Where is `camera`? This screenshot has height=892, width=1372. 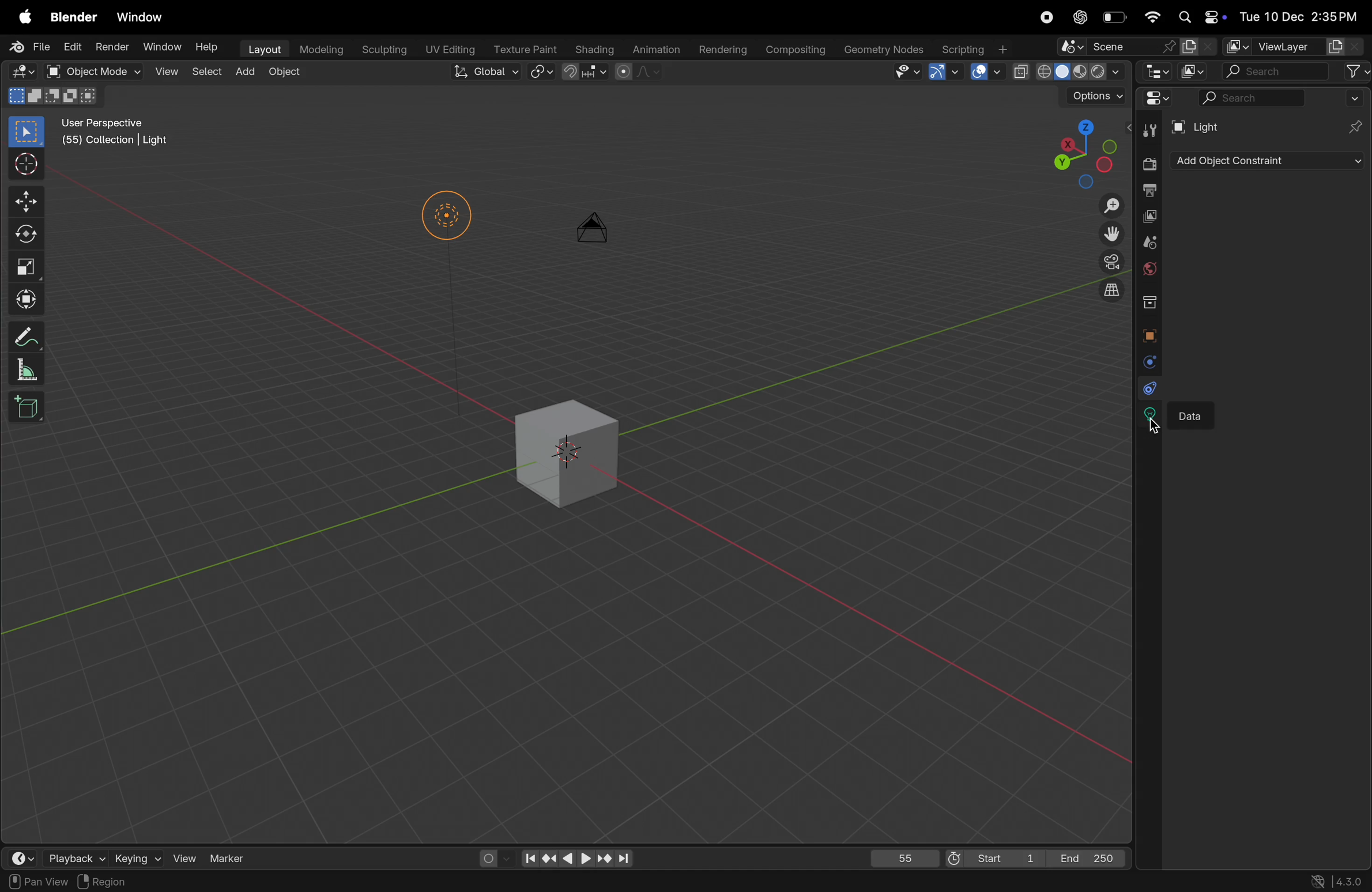 camera is located at coordinates (597, 235).